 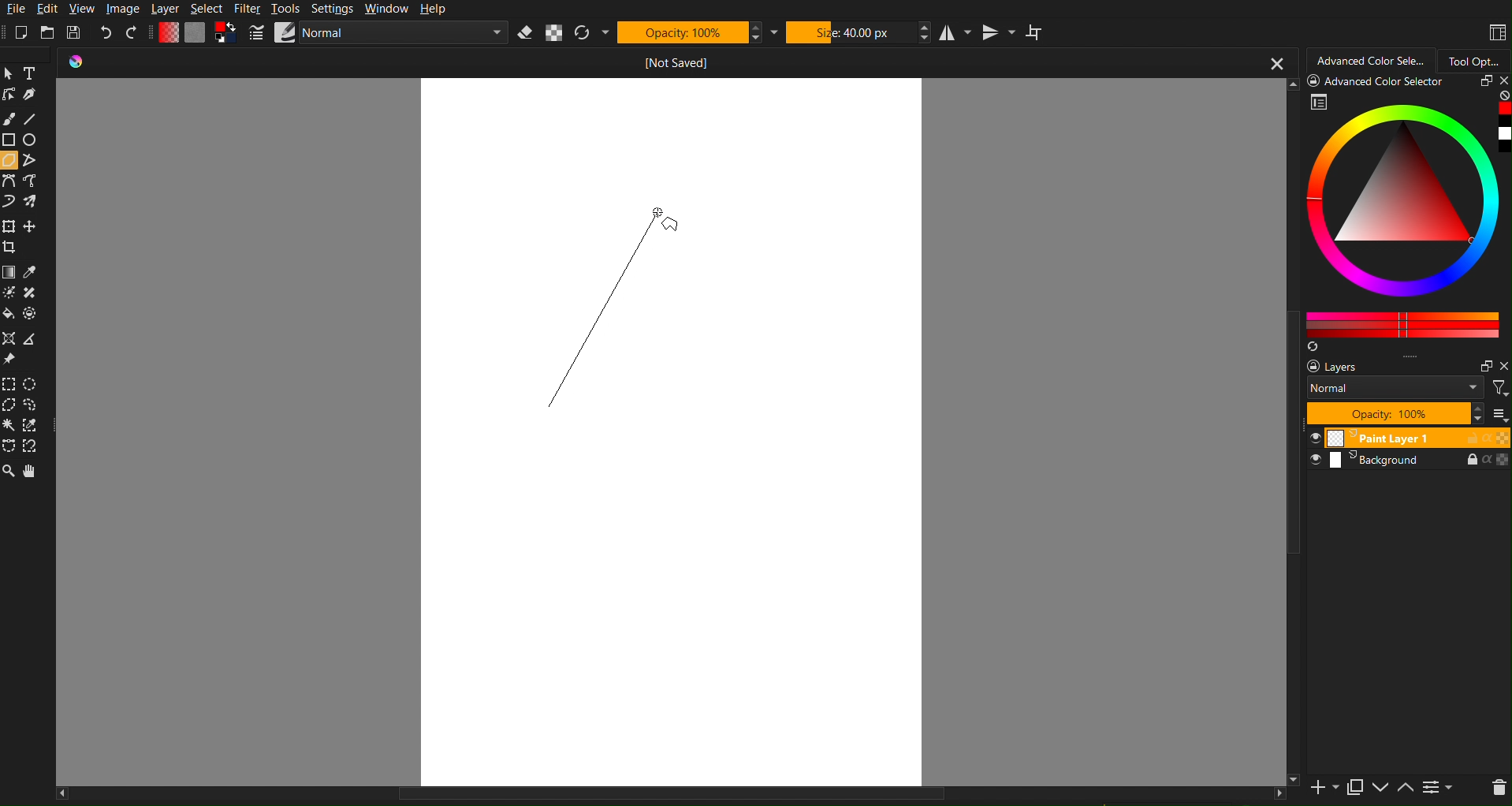 I want to click on Advanced Color Selector, so click(x=1372, y=58).